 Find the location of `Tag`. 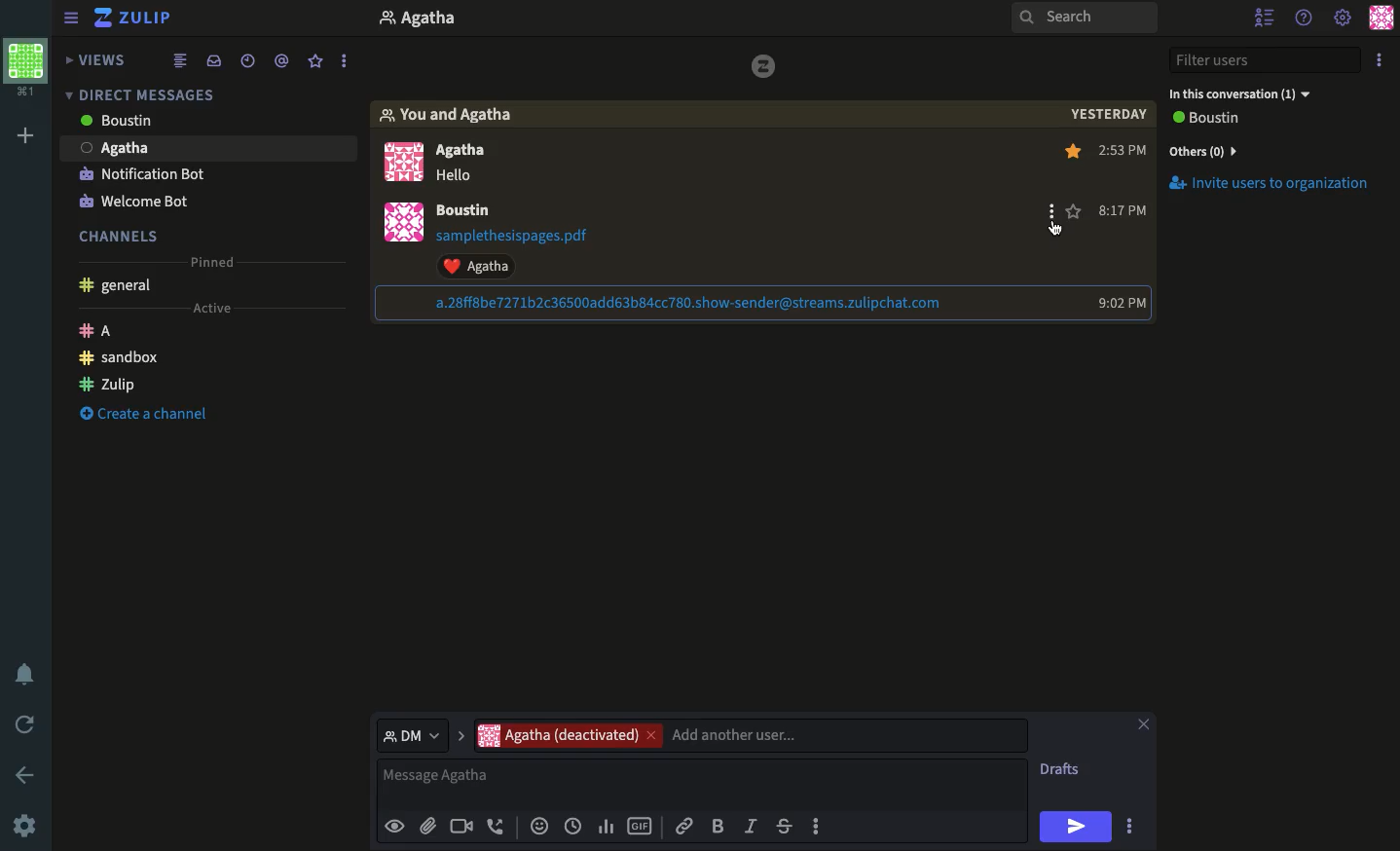

Tag is located at coordinates (284, 58).